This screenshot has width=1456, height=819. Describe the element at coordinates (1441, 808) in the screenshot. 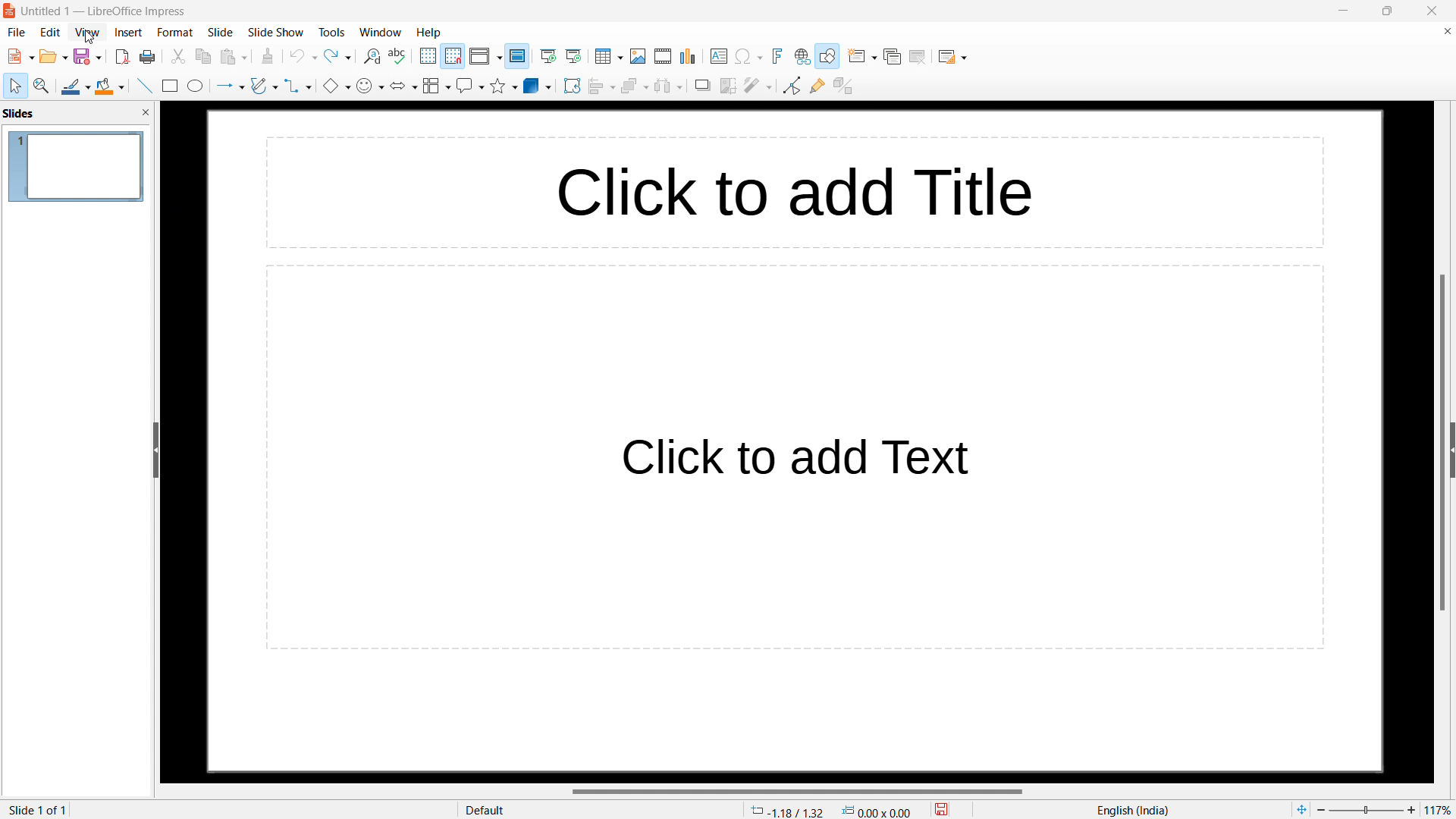

I see `zoom factor` at that location.